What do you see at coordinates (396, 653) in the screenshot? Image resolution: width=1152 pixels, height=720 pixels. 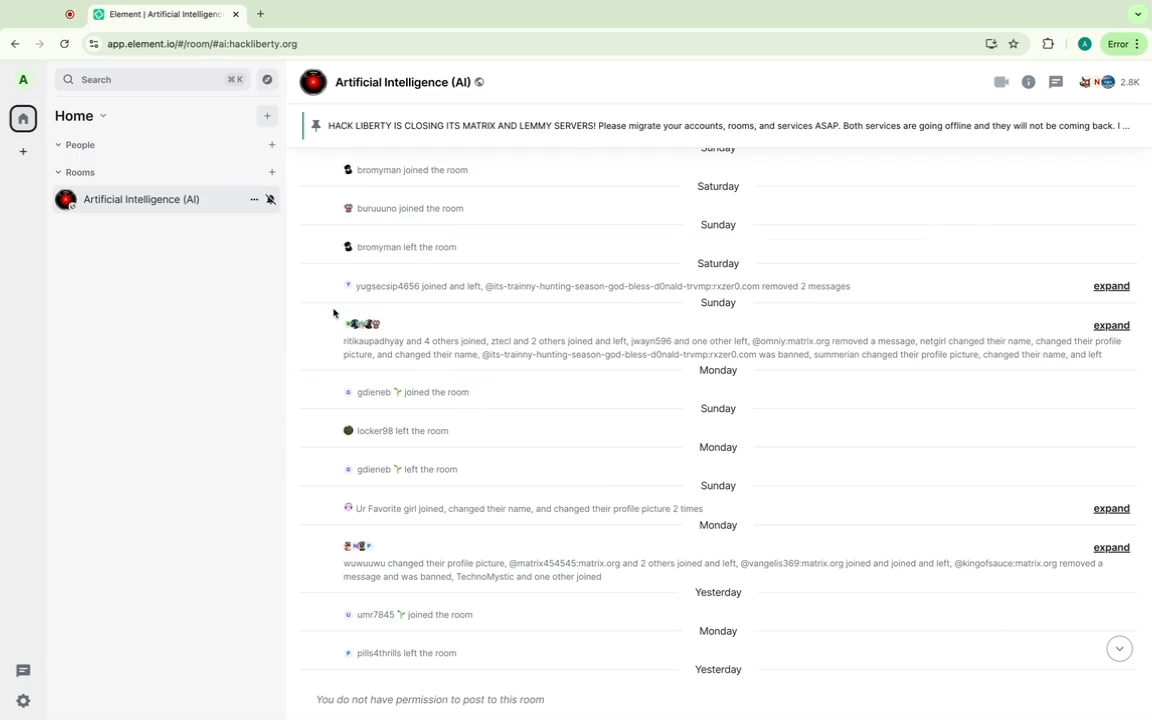 I see `Message` at bounding box center [396, 653].